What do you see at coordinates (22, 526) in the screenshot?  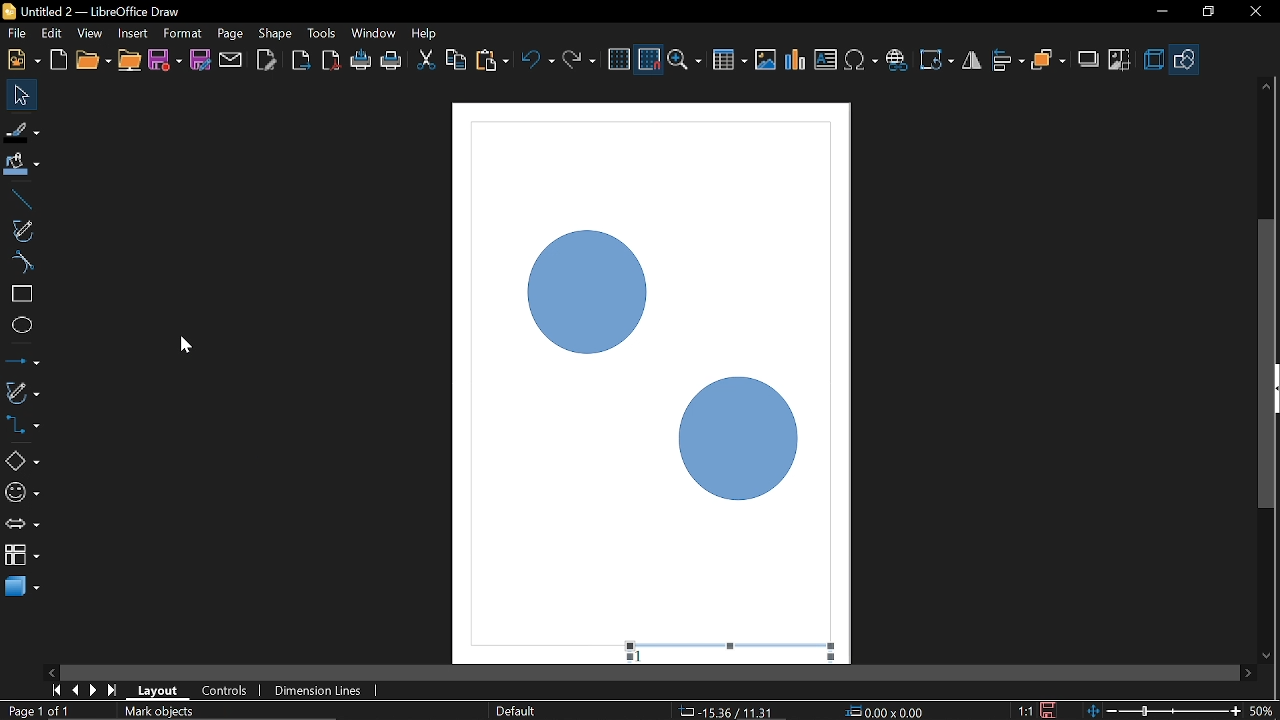 I see ` arrow shapes` at bounding box center [22, 526].